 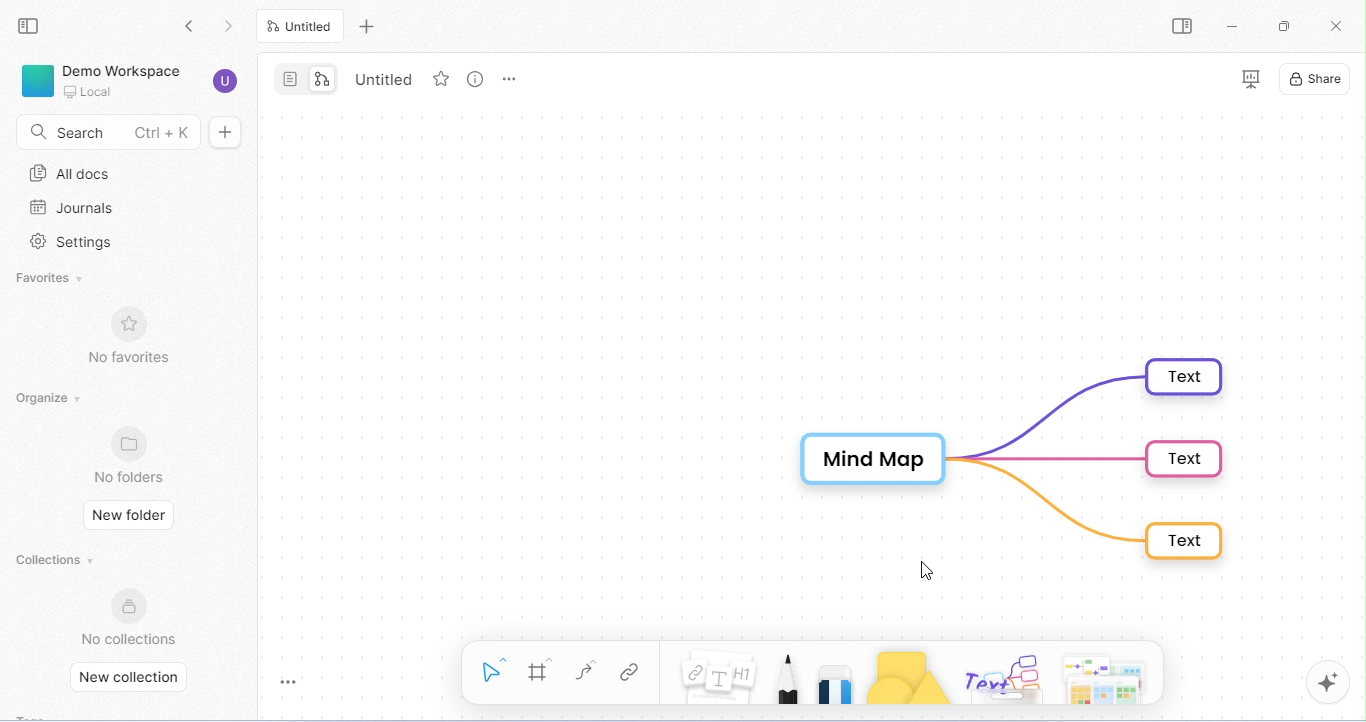 I want to click on view info, so click(x=472, y=79).